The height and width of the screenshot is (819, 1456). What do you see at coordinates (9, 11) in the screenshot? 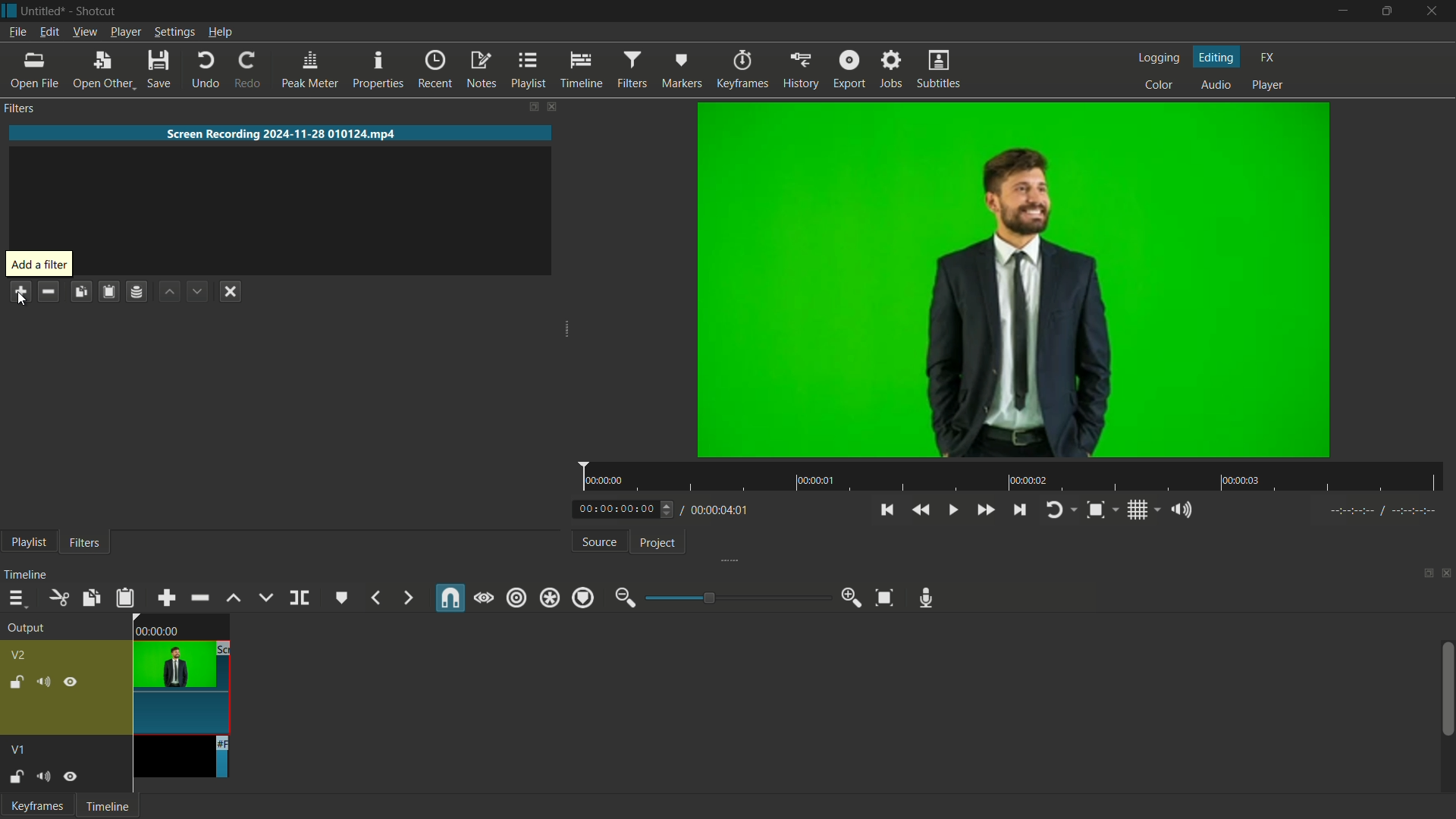
I see `app icon` at bounding box center [9, 11].